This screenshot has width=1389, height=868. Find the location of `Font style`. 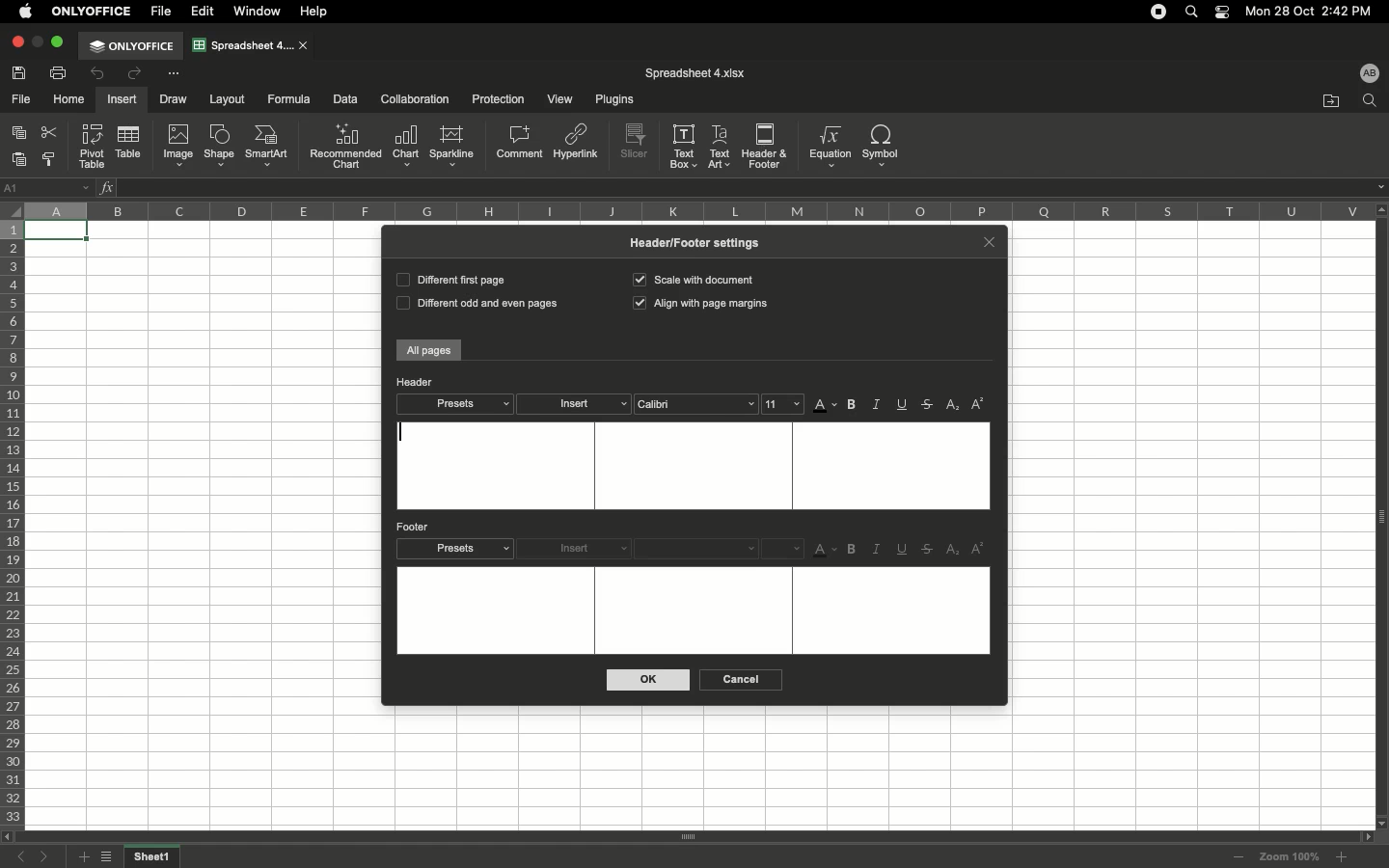

Font style is located at coordinates (698, 548).